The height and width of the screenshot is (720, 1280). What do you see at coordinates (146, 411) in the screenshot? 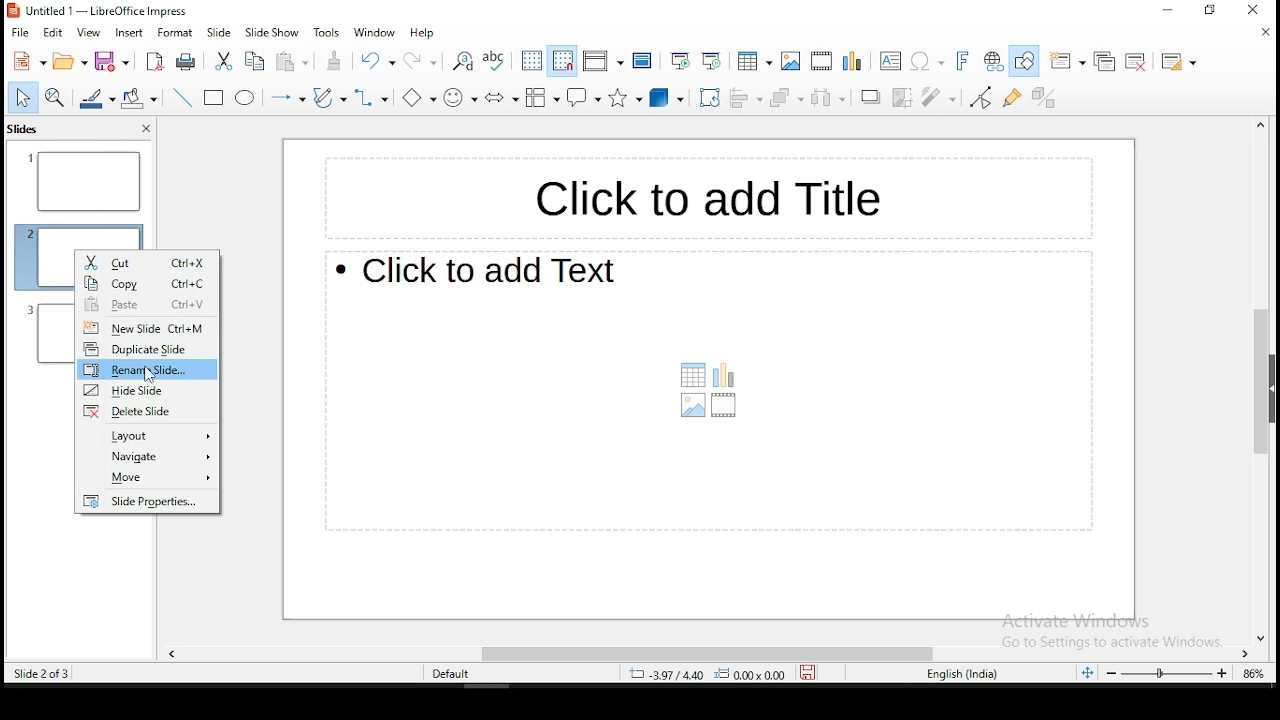
I see `delete slide` at bounding box center [146, 411].